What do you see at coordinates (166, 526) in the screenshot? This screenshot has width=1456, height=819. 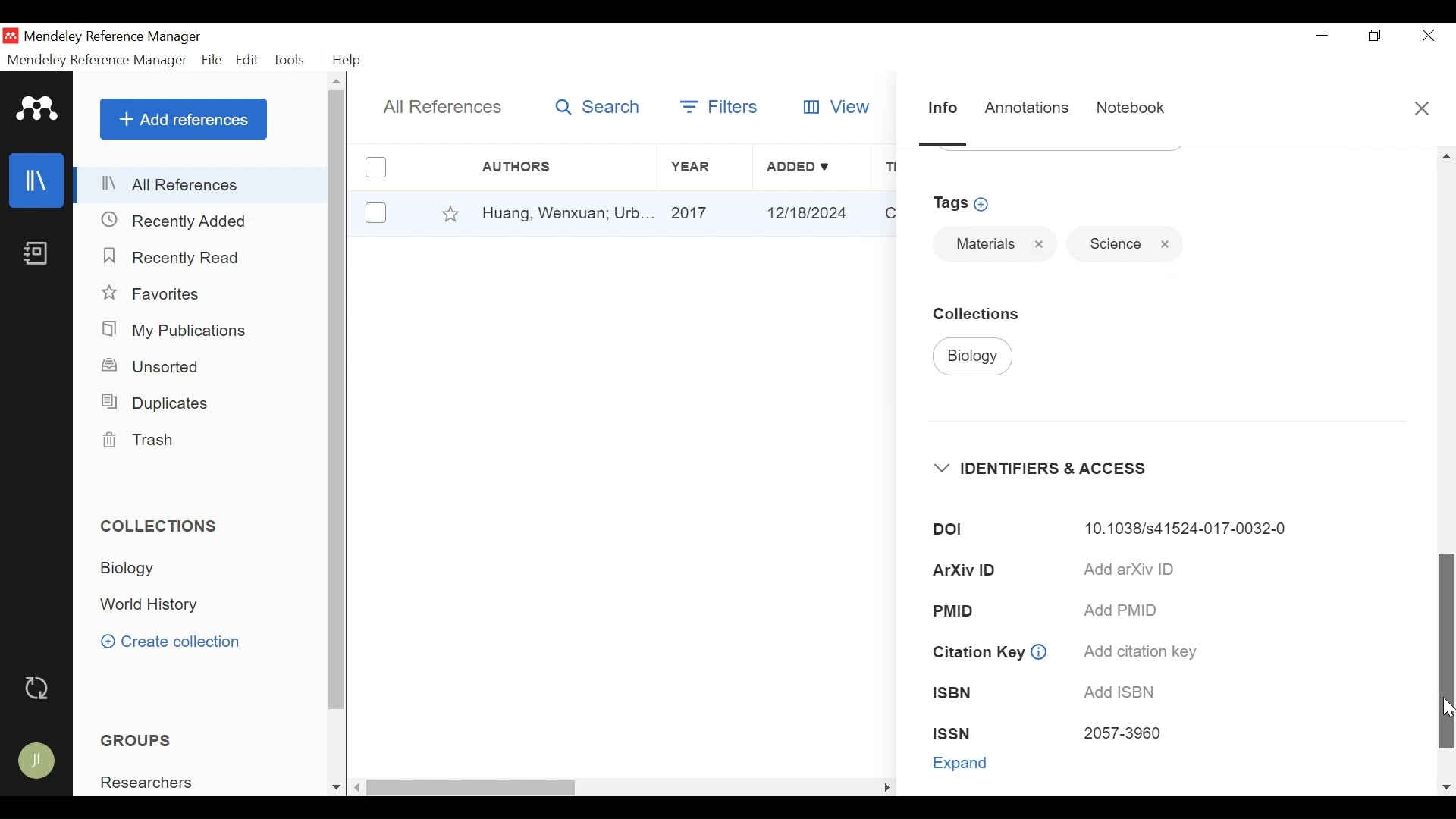 I see `Collections` at bounding box center [166, 526].